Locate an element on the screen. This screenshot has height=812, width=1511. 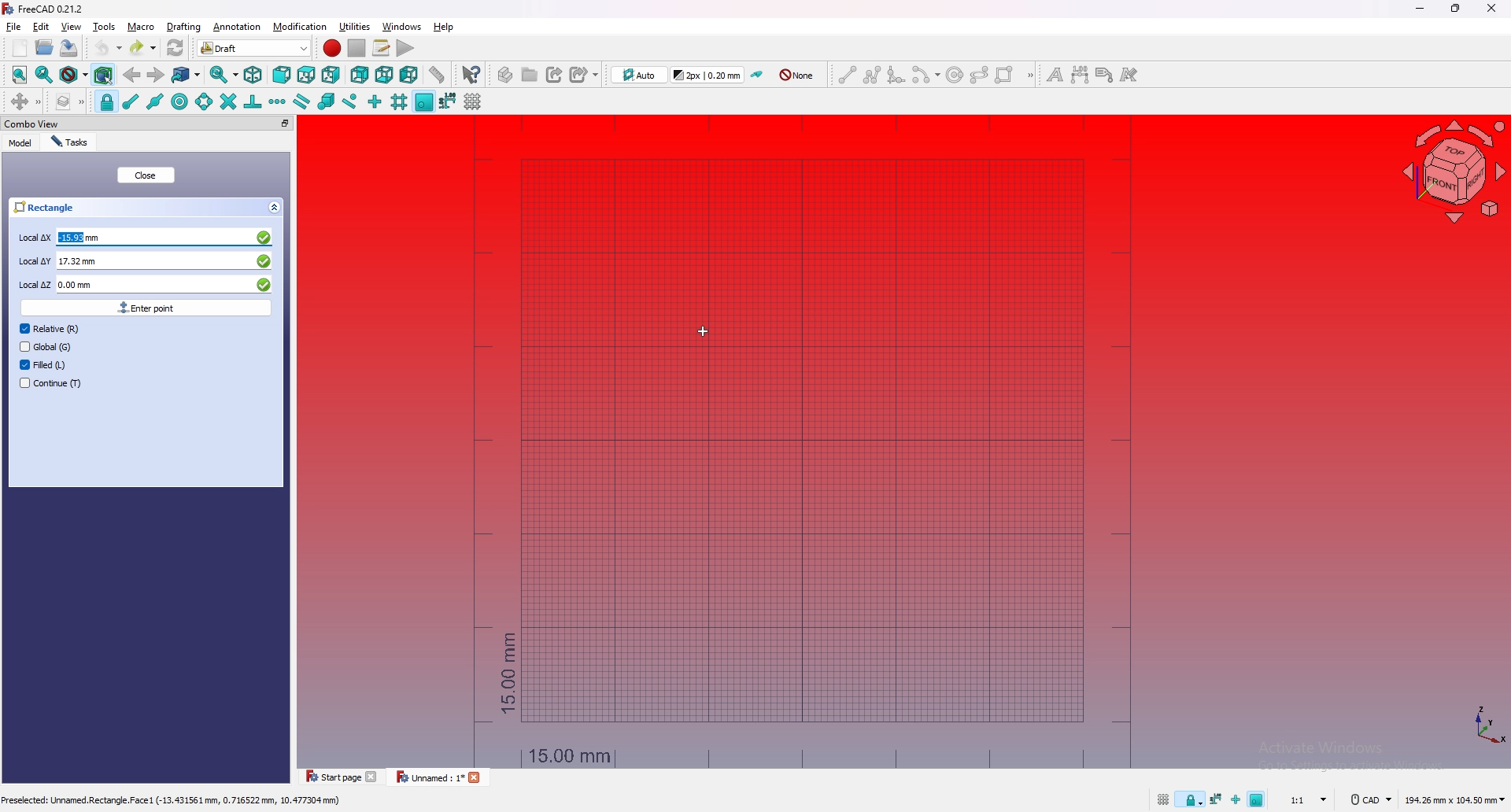
utilities is located at coordinates (355, 26).